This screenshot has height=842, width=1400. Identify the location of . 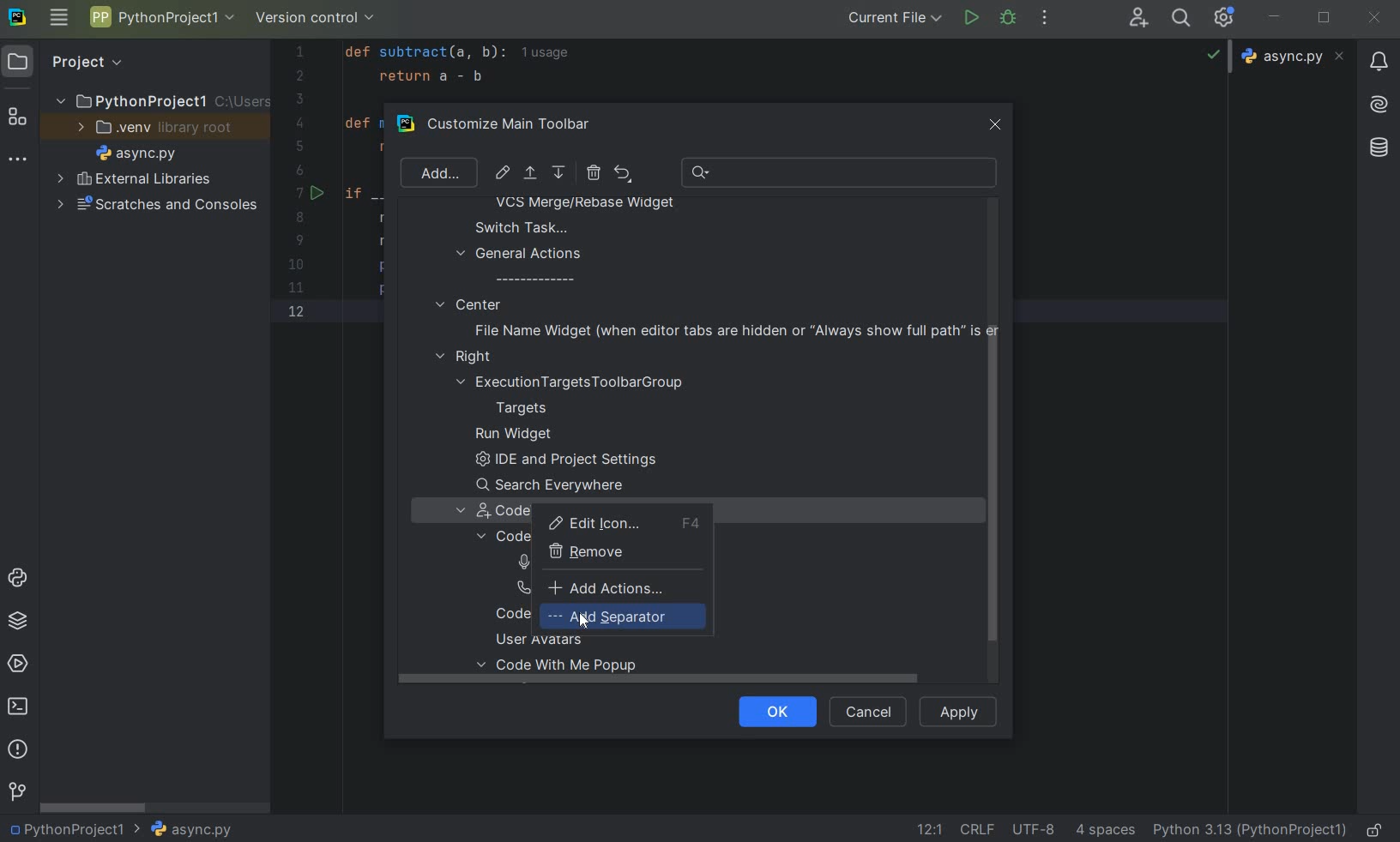
(1377, 148).